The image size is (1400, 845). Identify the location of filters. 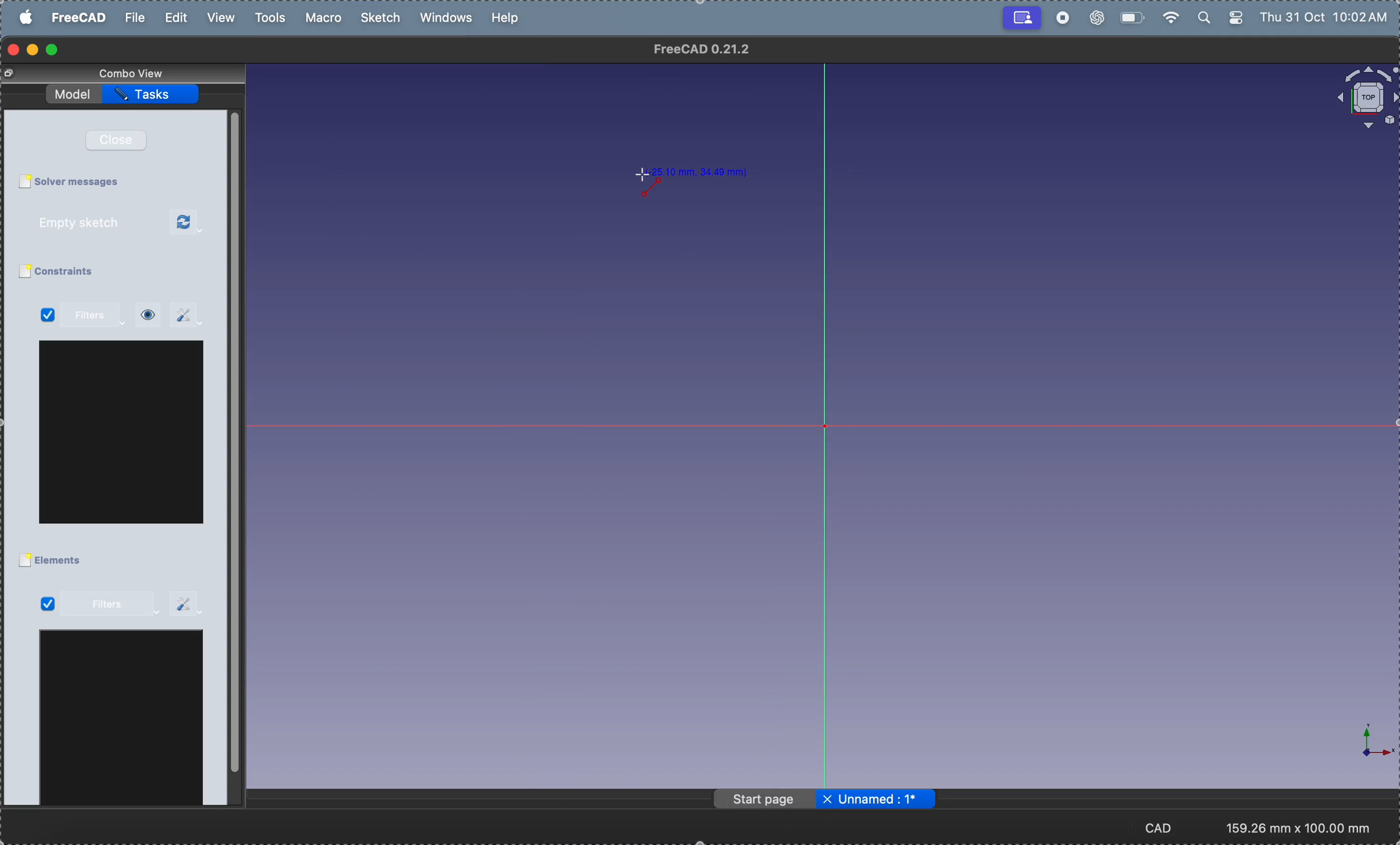
(97, 316).